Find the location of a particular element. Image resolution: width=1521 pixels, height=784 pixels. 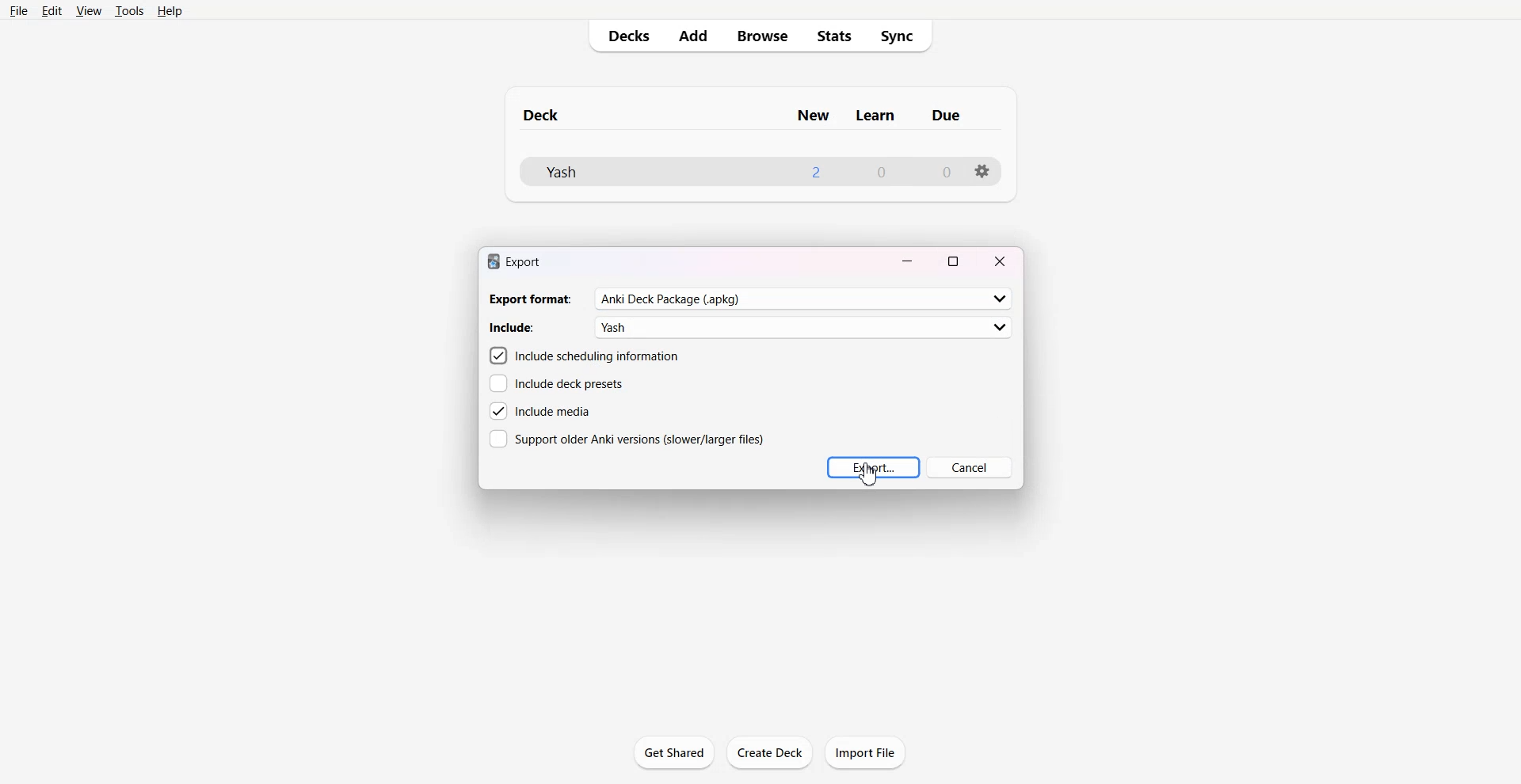

include scheduling information enabled is located at coordinates (584, 356).